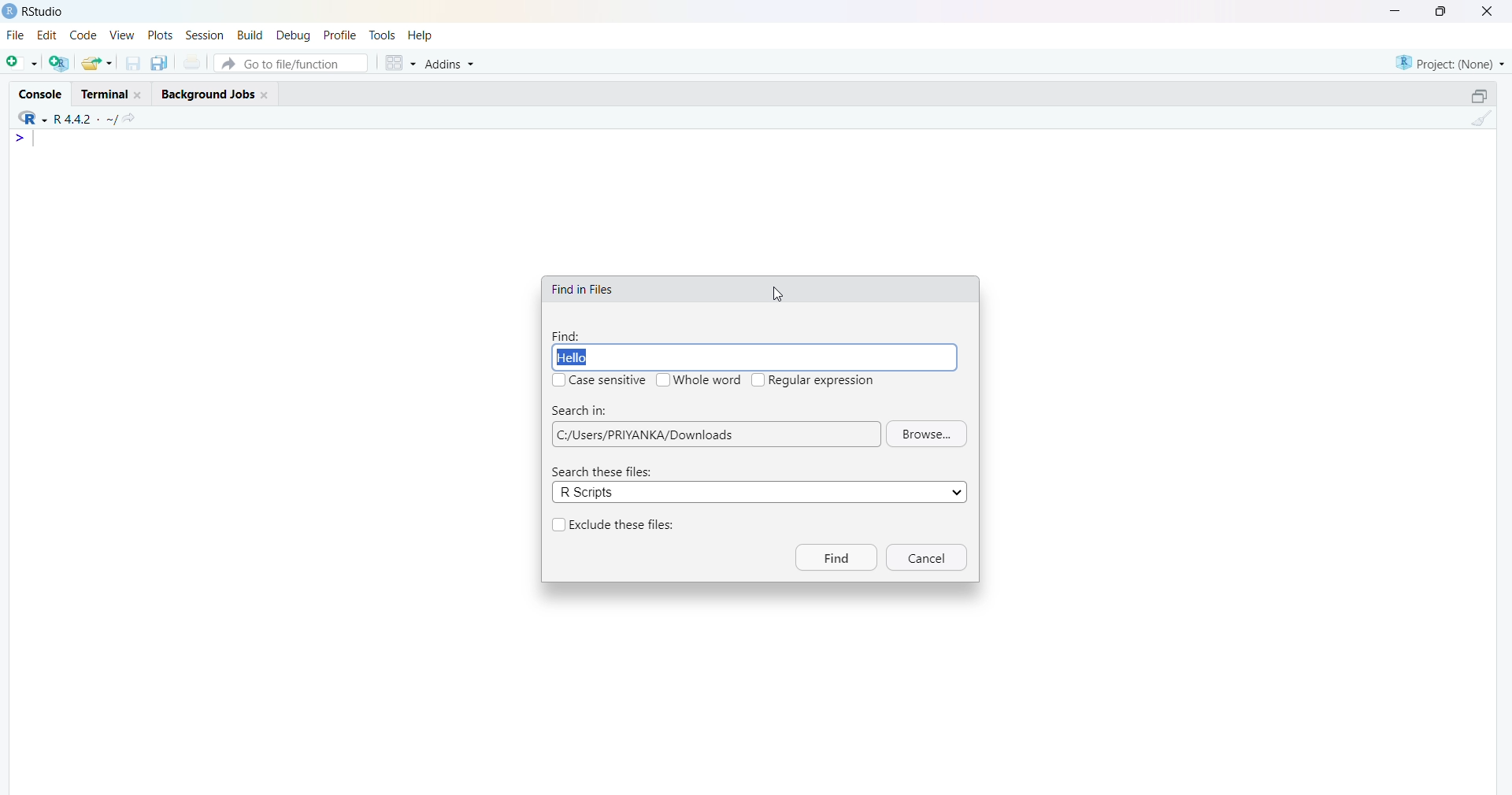 The width and height of the screenshot is (1512, 795). I want to click on >, so click(22, 138).